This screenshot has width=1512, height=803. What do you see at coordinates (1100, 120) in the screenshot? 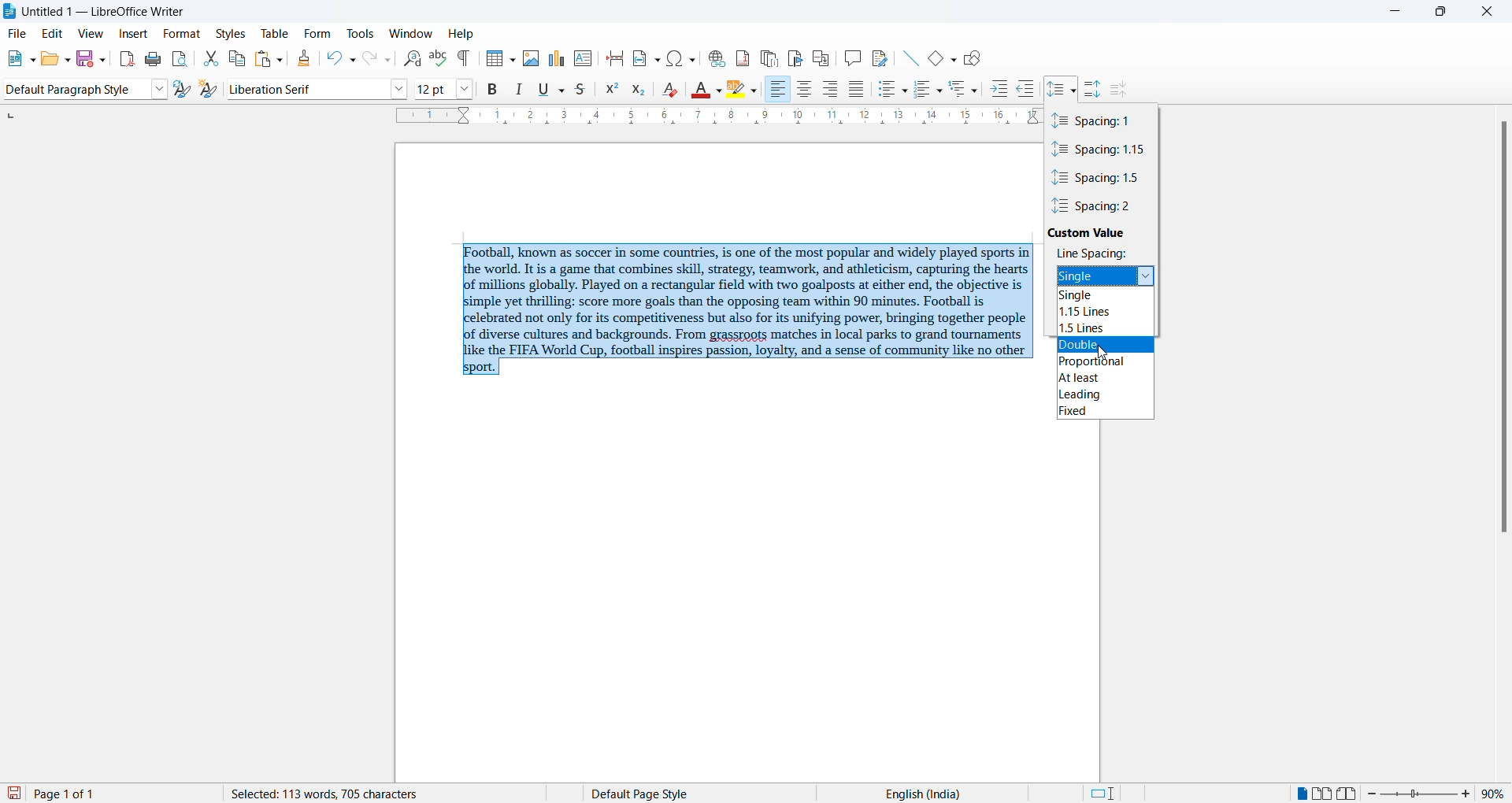
I see `spacing value 1` at bounding box center [1100, 120].